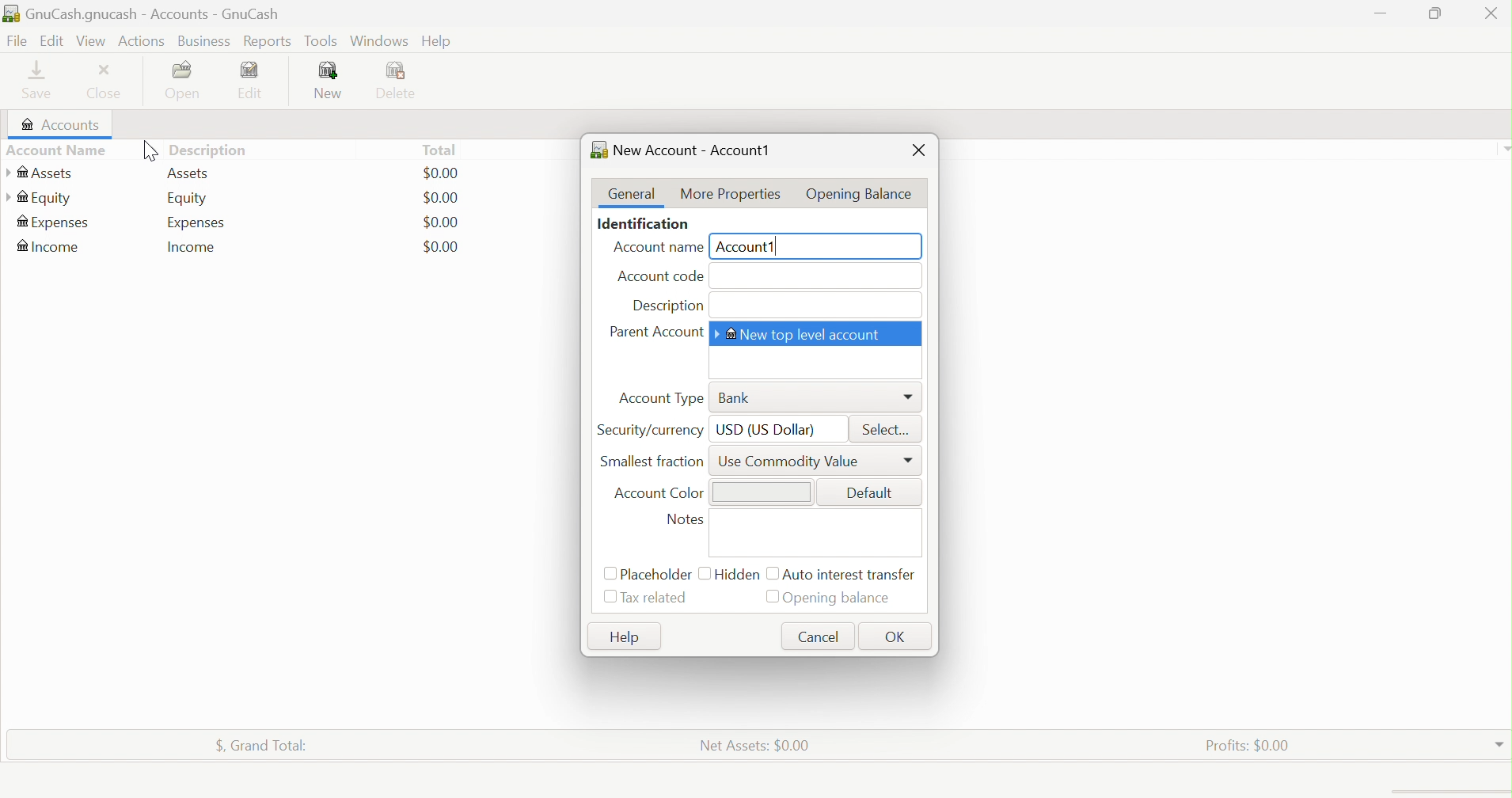 The height and width of the screenshot is (798, 1512). What do you see at coordinates (821, 635) in the screenshot?
I see `Cancel` at bounding box center [821, 635].